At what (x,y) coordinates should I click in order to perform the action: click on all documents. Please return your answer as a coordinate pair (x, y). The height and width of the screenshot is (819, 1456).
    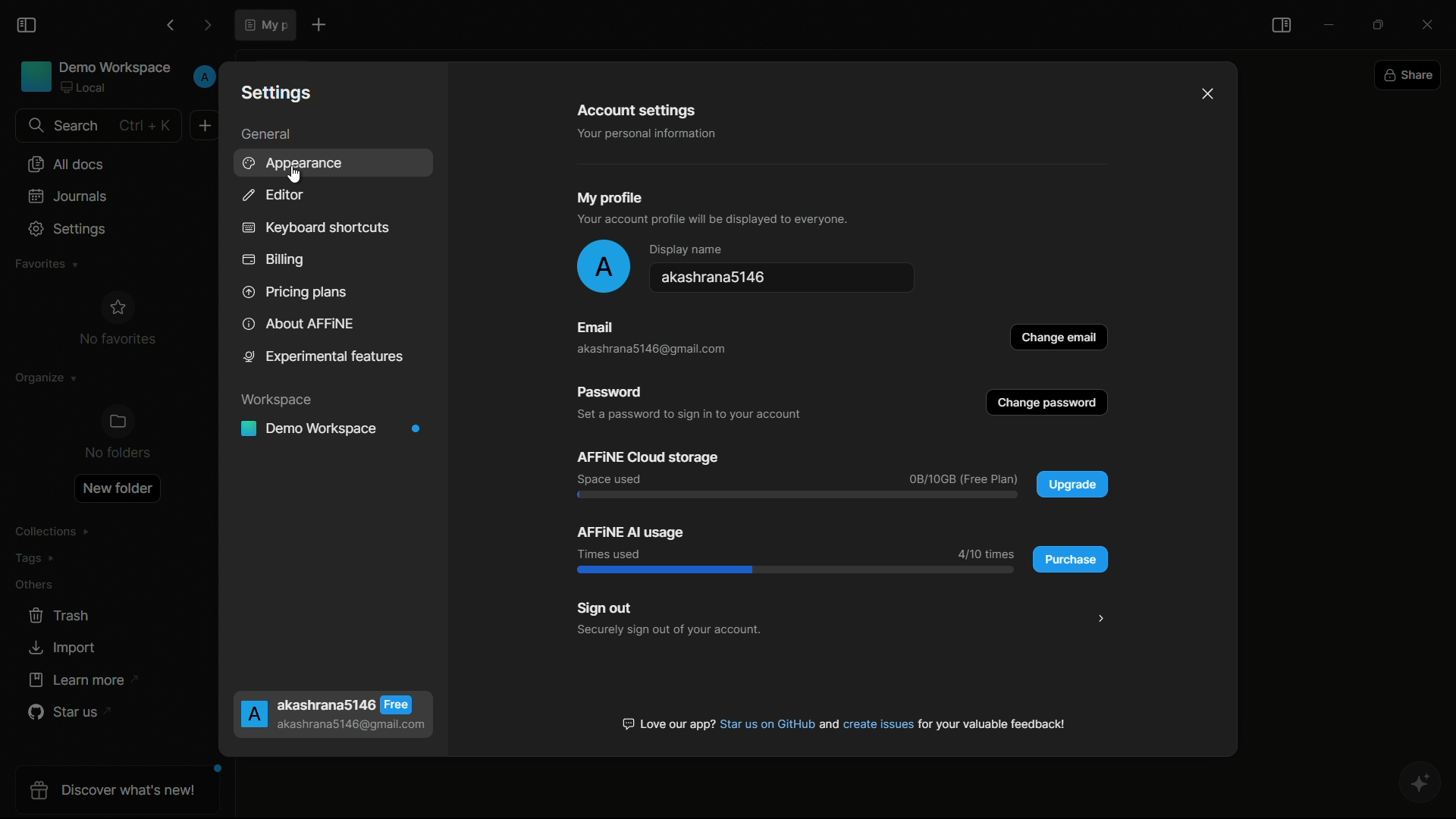
    Looking at the image, I should click on (64, 165).